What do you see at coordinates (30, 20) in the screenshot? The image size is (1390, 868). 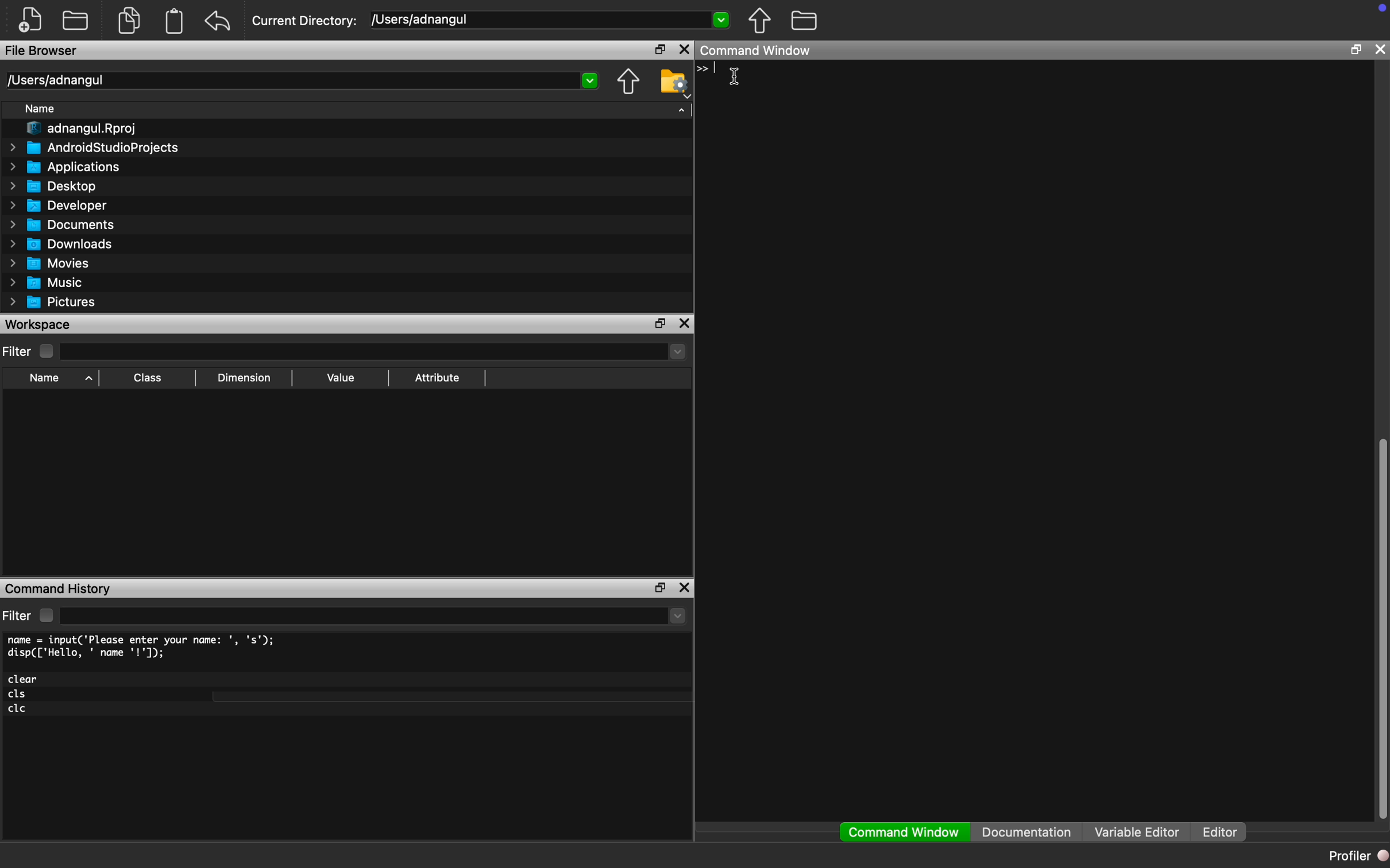 I see `New file` at bounding box center [30, 20].